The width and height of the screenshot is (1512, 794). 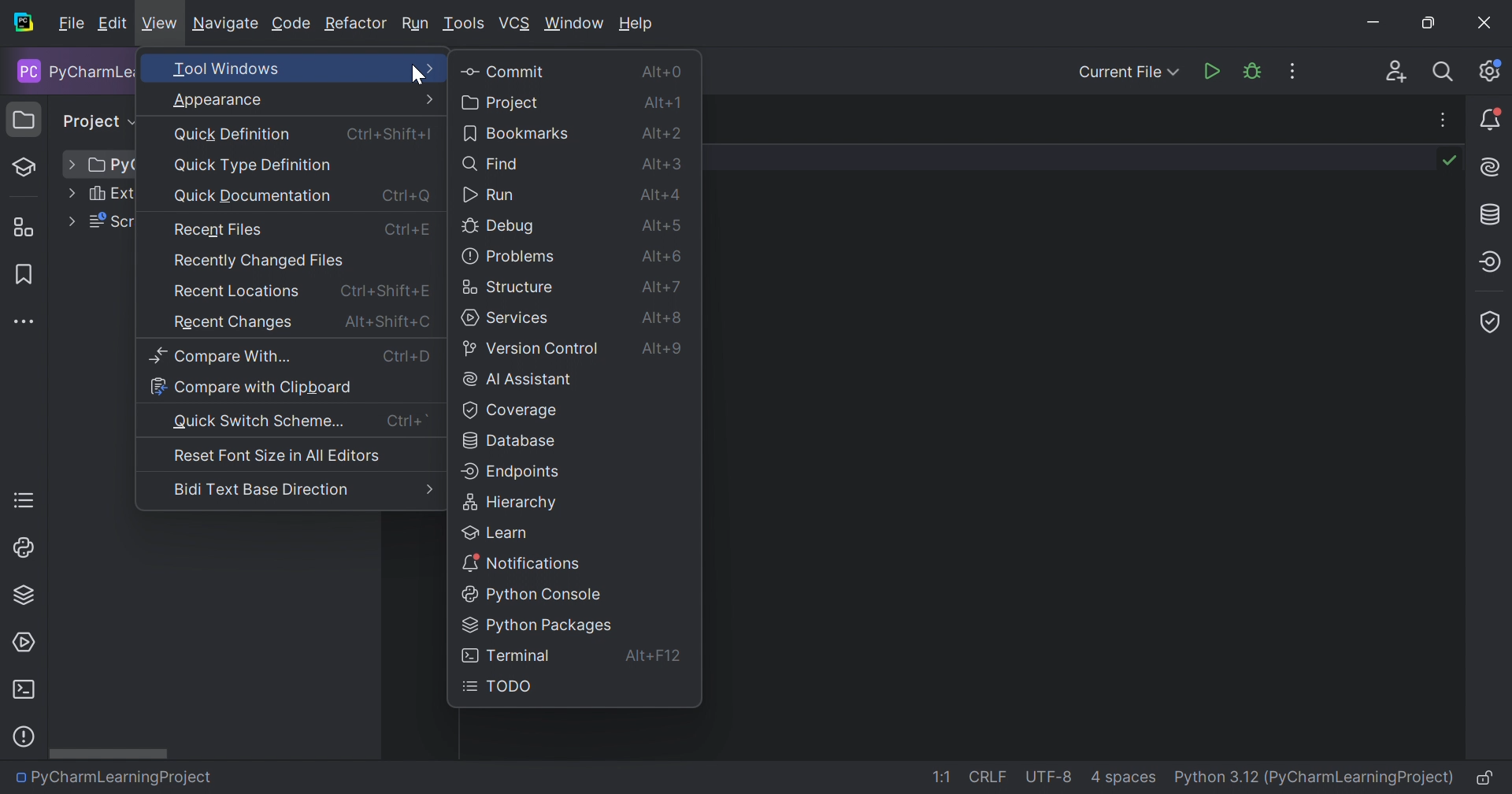 What do you see at coordinates (1210, 74) in the screenshot?
I see `Run 'new.py'` at bounding box center [1210, 74].